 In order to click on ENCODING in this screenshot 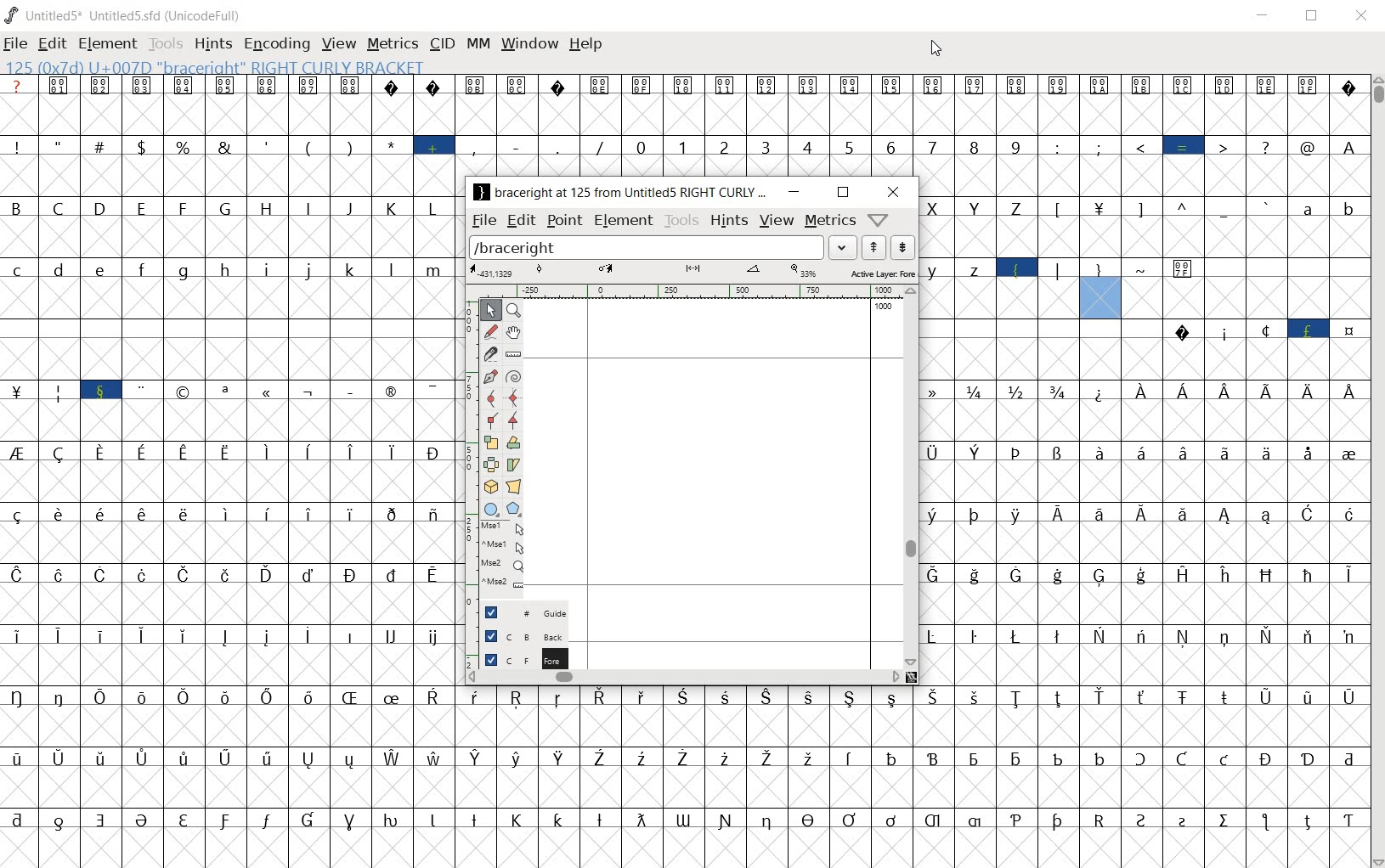, I will do `click(276, 44)`.